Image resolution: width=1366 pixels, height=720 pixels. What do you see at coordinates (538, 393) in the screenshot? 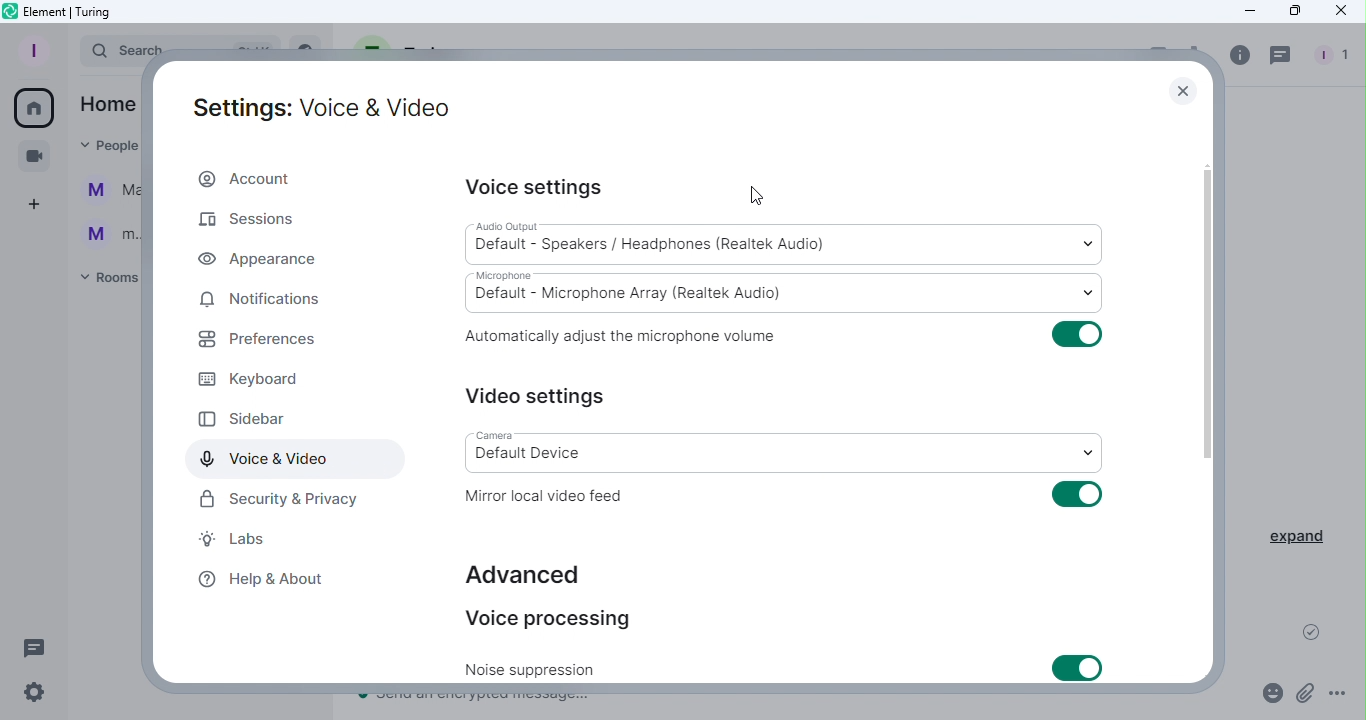
I see `Video settings` at bounding box center [538, 393].